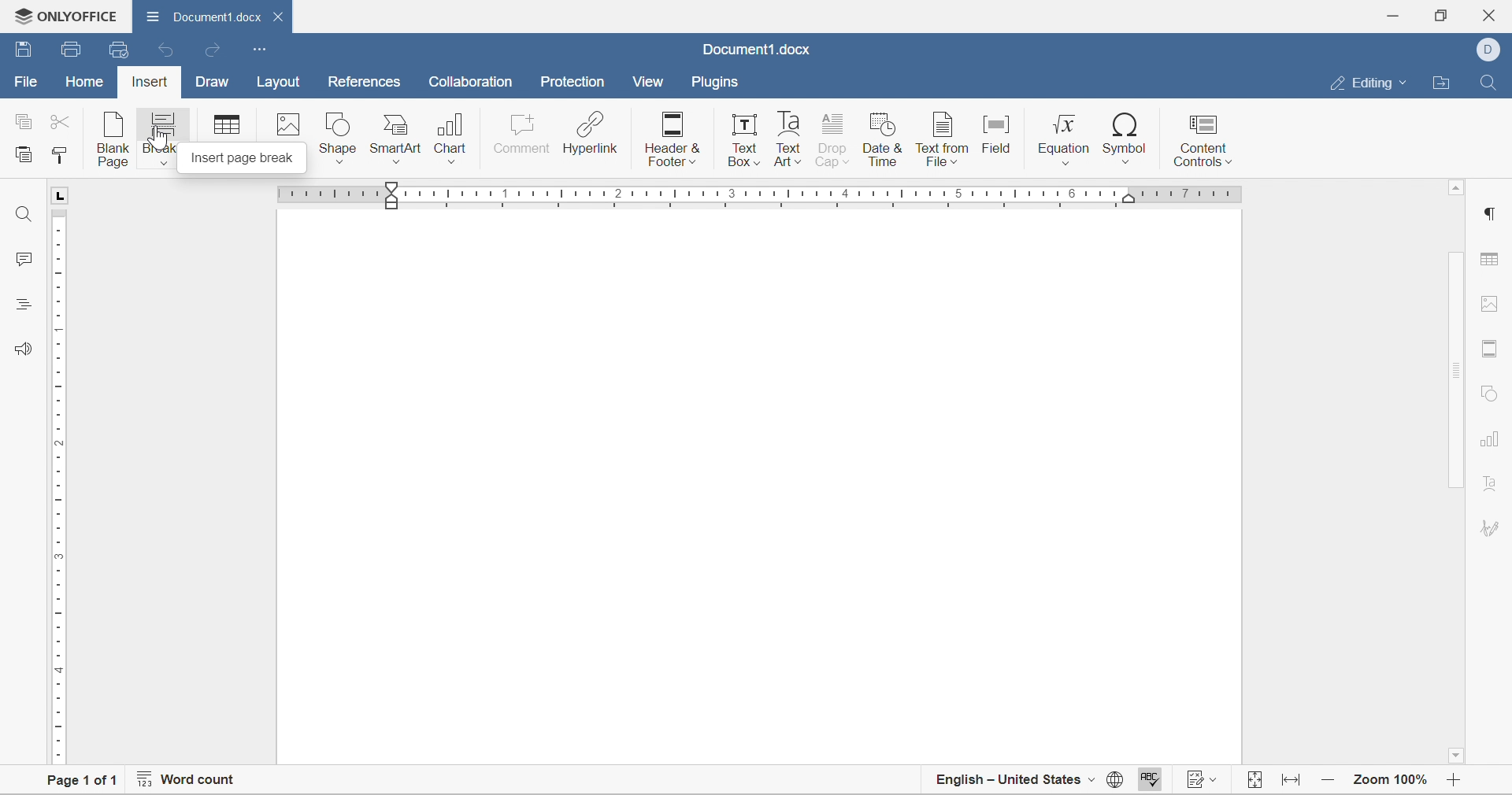 This screenshot has width=1512, height=795. I want to click on Set document language, so click(1114, 782).